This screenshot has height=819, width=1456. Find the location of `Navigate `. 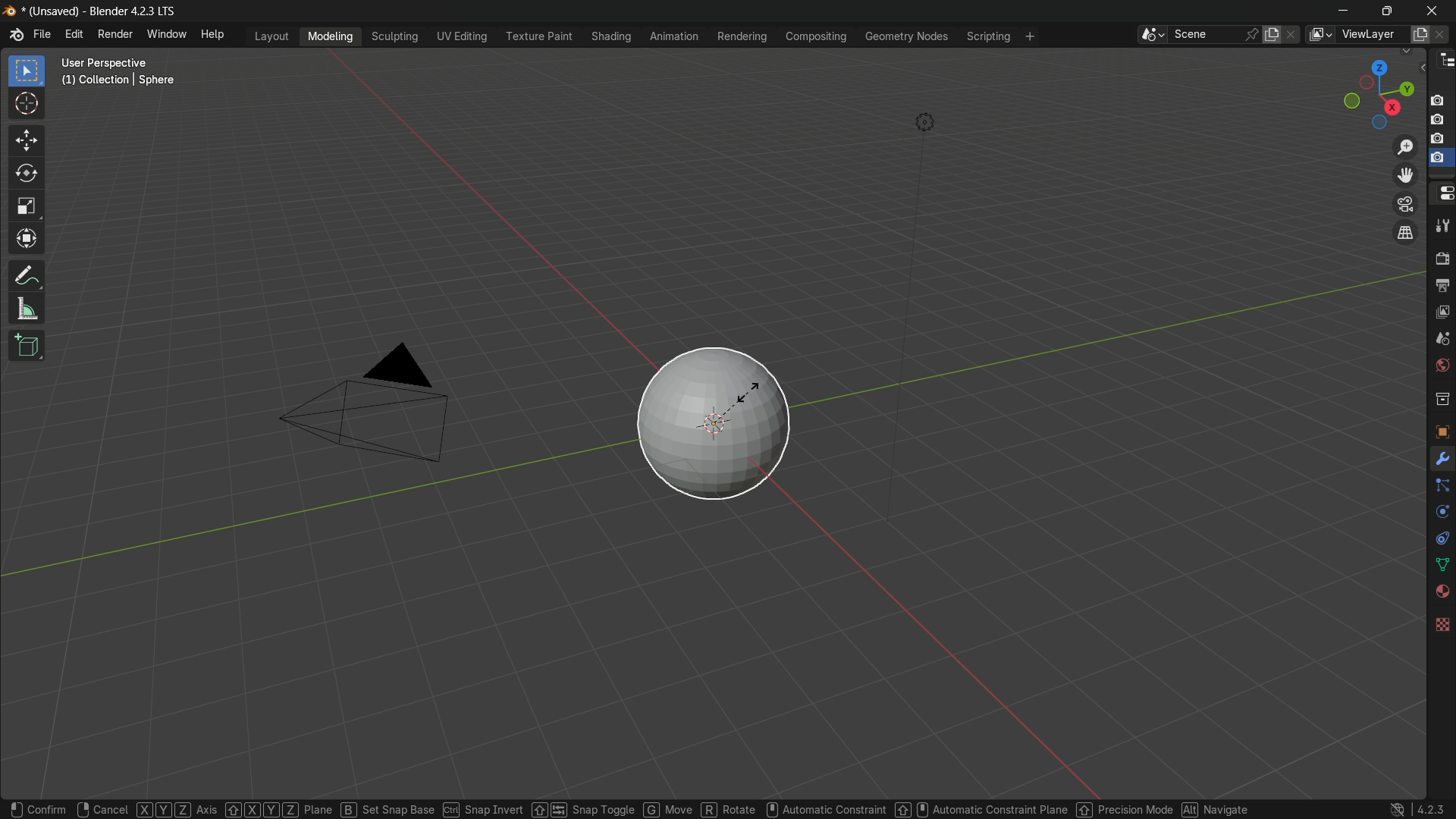

Navigate  is located at coordinates (1217, 808).